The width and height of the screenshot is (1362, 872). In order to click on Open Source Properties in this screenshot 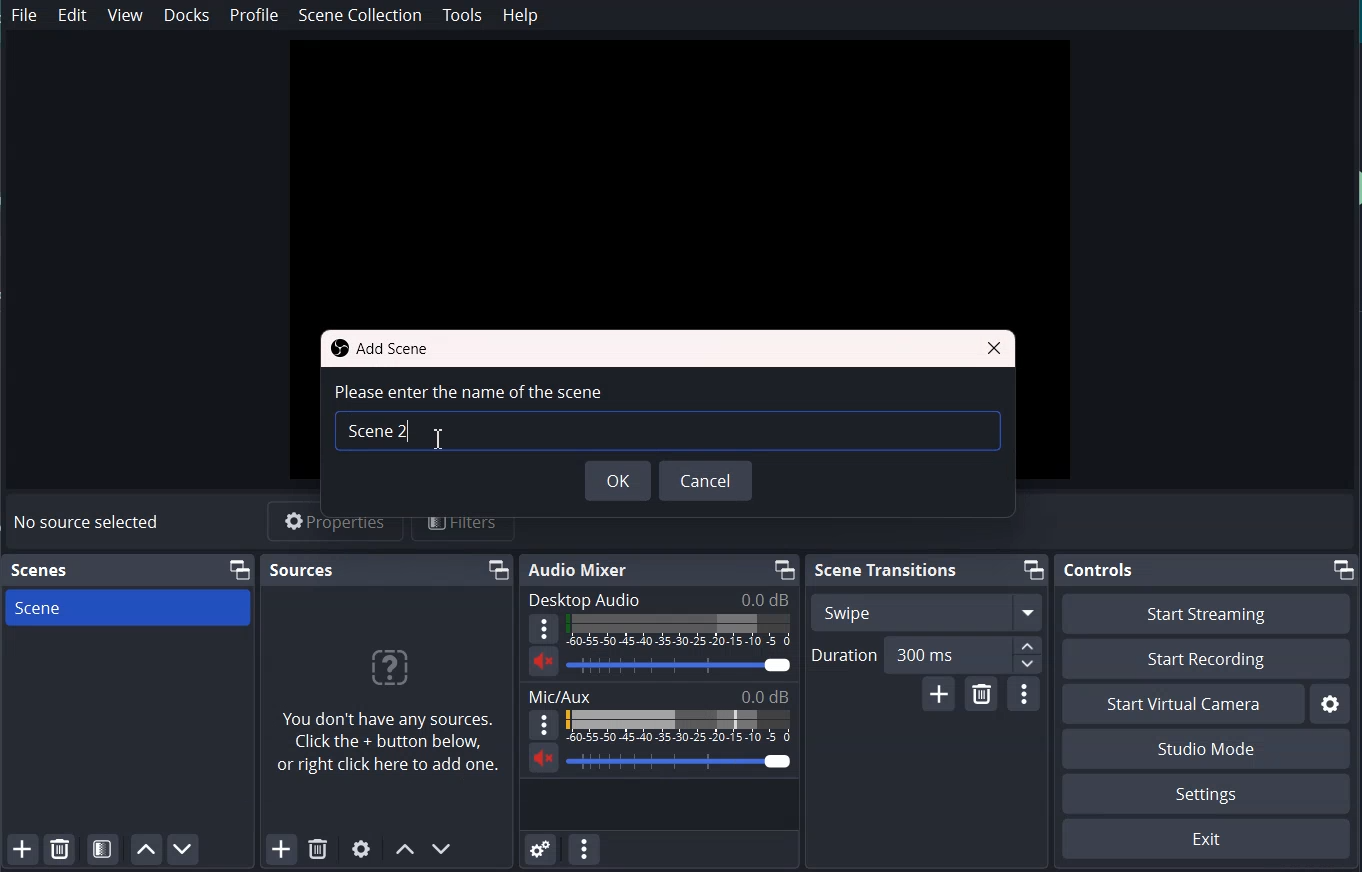, I will do `click(362, 850)`.